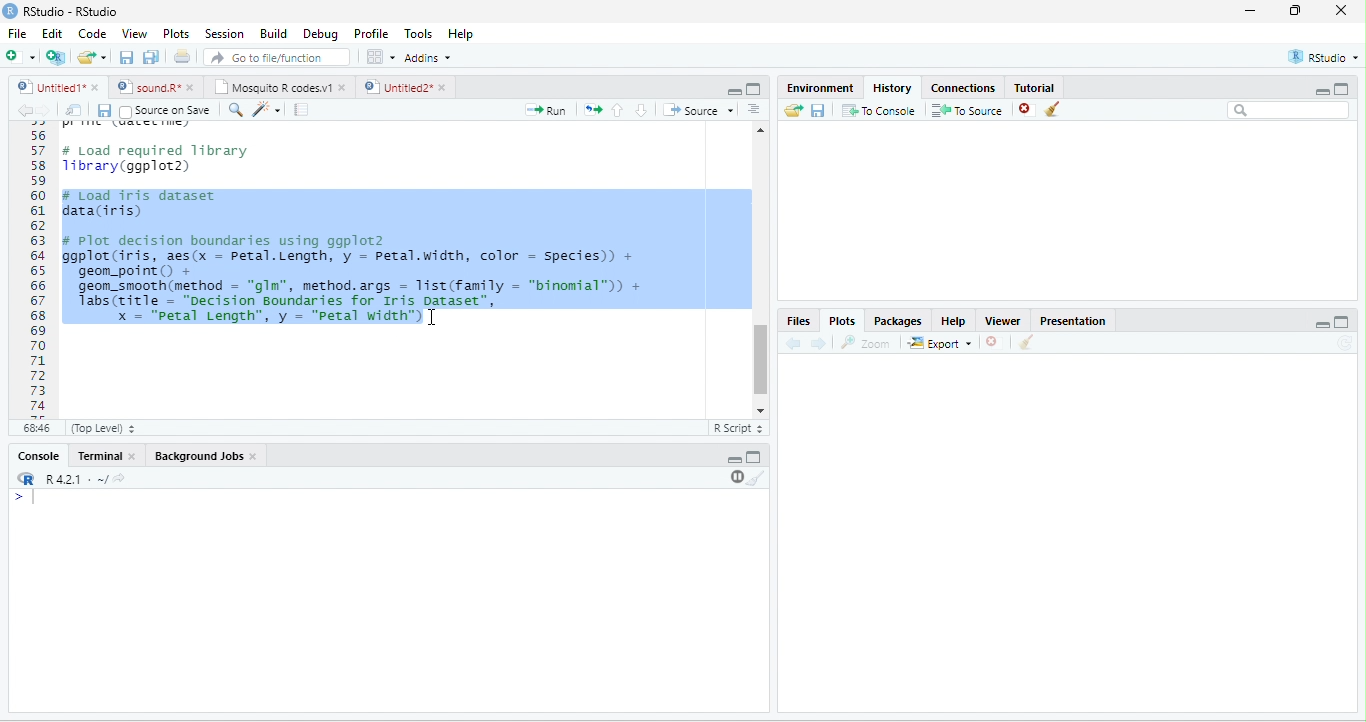 This screenshot has height=722, width=1366. What do you see at coordinates (134, 34) in the screenshot?
I see `View` at bounding box center [134, 34].